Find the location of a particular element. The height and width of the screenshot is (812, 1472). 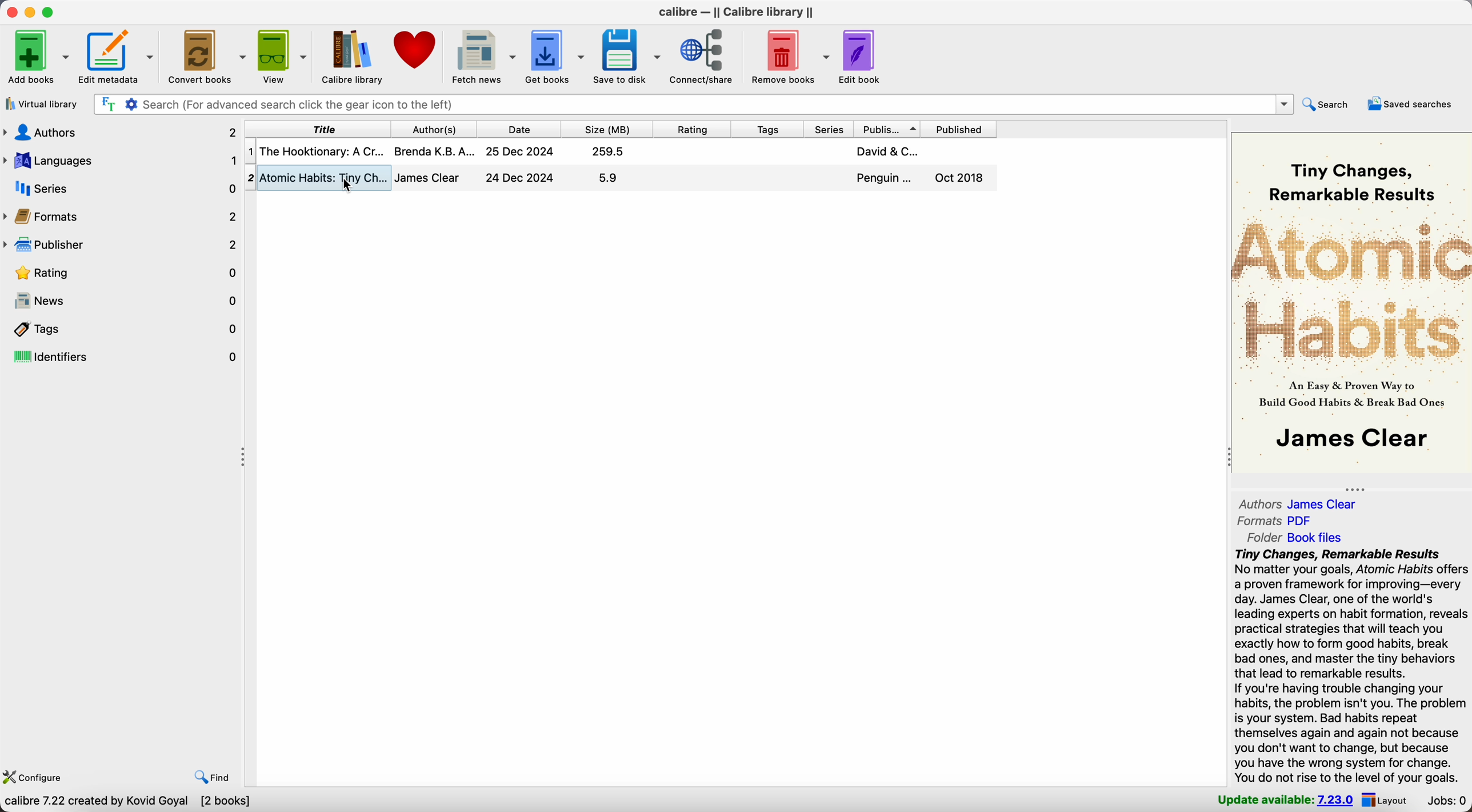

maximize Calibre is located at coordinates (51, 11).